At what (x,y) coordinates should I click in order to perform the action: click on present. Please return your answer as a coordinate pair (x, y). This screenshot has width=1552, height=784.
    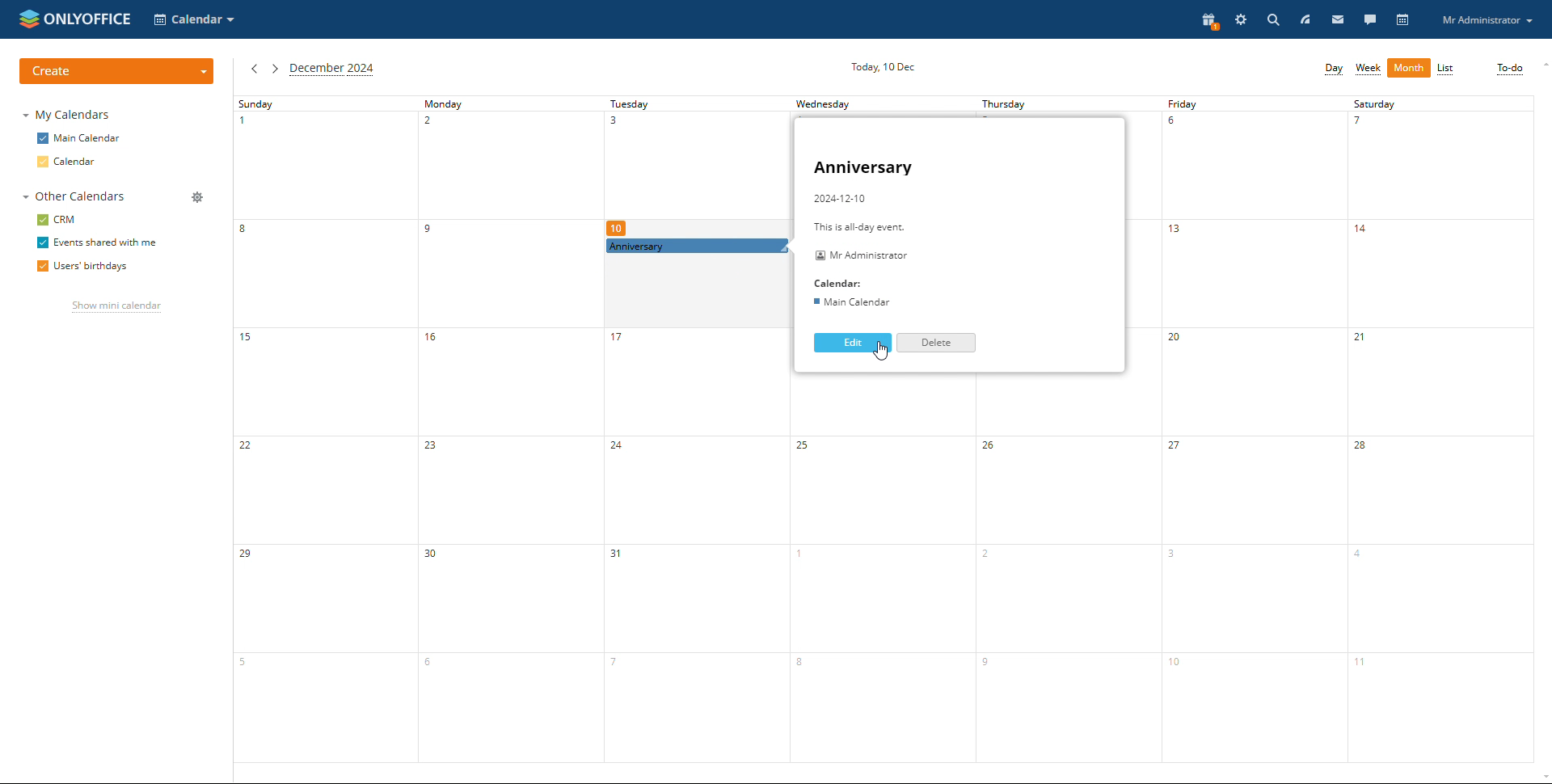
    Looking at the image, I should click on (1207, 22).